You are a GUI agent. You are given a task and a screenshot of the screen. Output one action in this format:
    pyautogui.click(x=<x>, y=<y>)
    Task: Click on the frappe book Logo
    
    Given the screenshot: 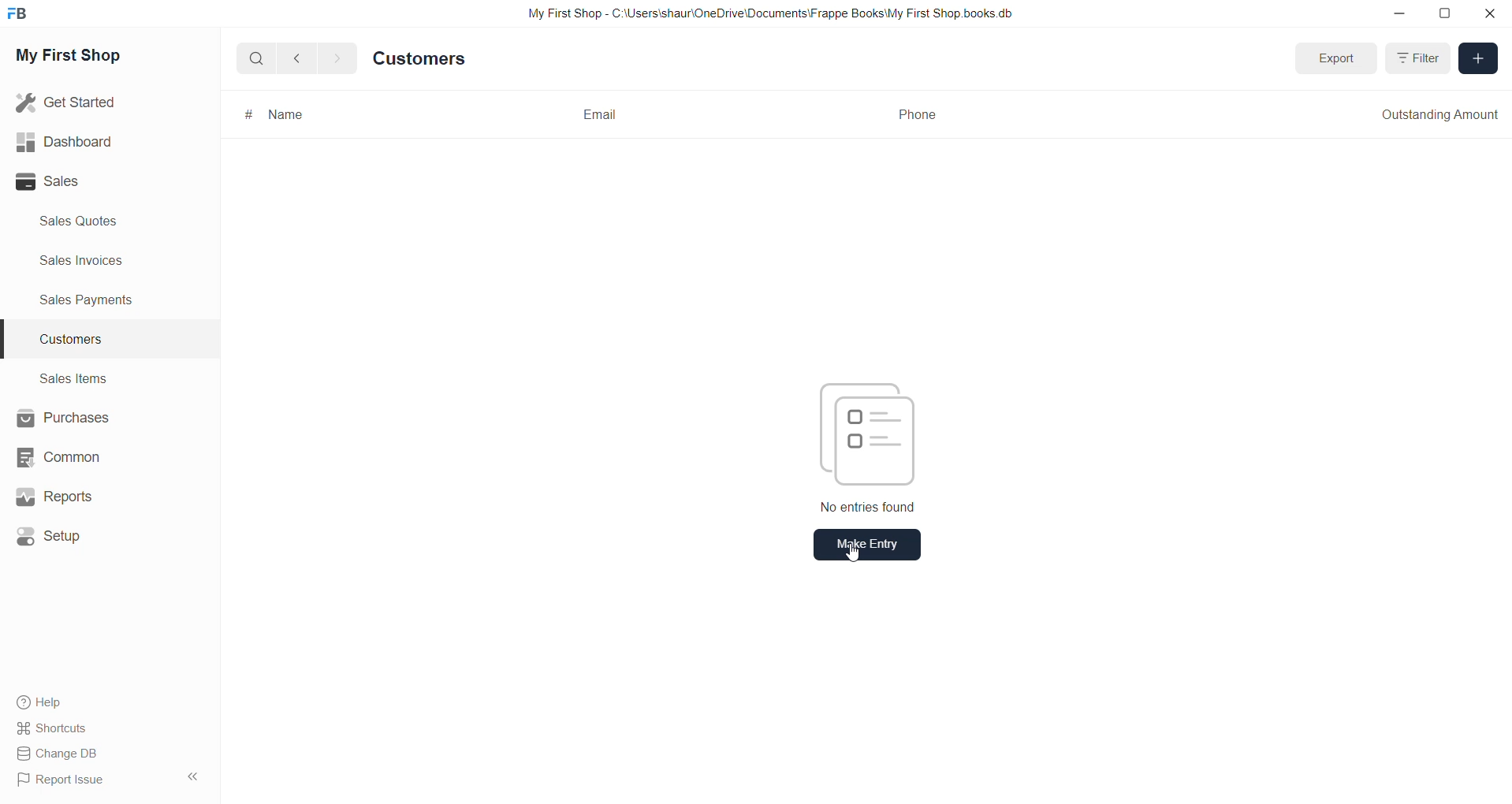 What is the action you would take?
    pyautogui.click(x=21, y=17)
    